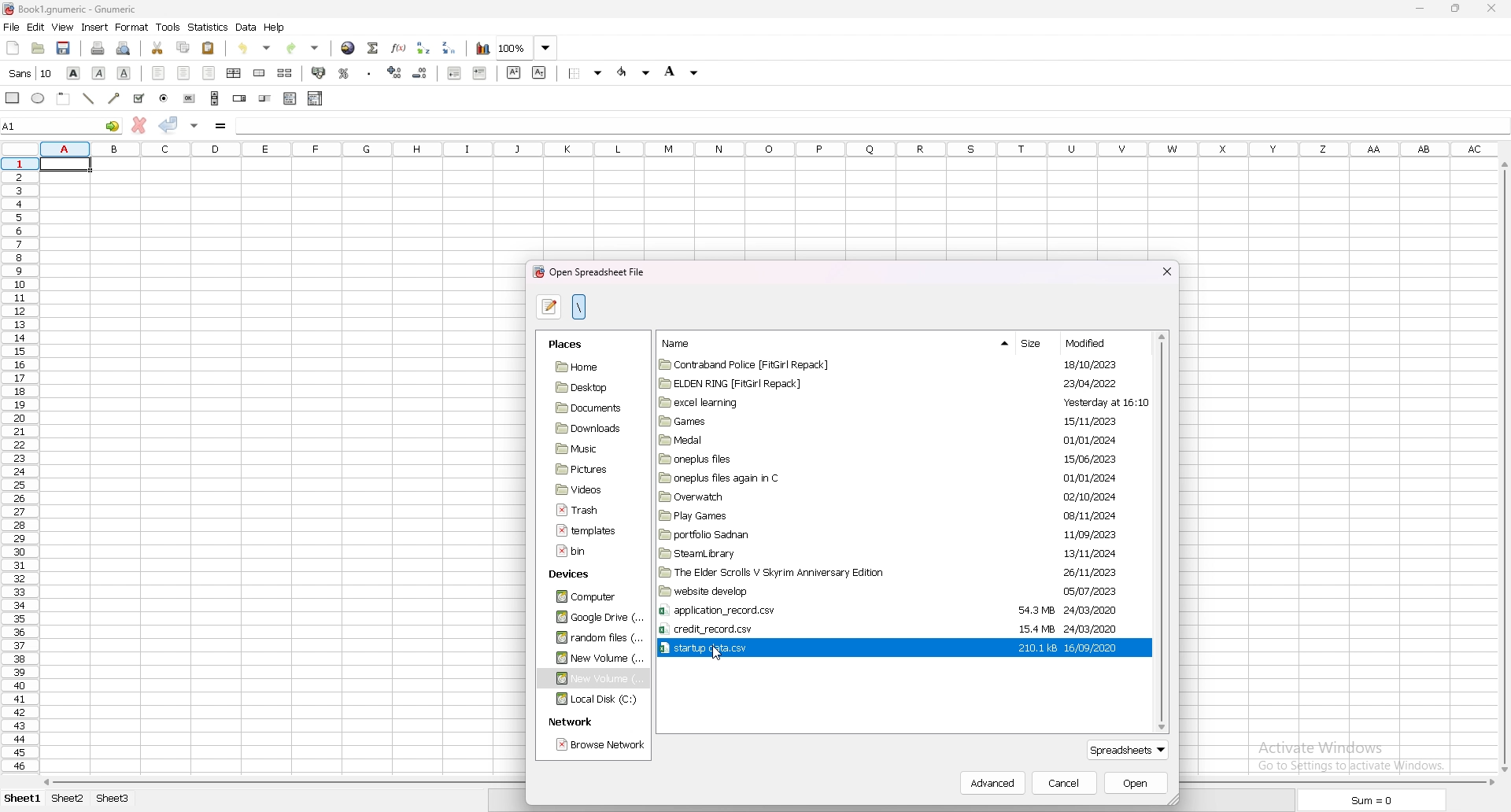 The image size is (1511, 812). What do you see at coordinates (823, 401) in the screenshot?
I see `folder` at bounding box center [823, 401].